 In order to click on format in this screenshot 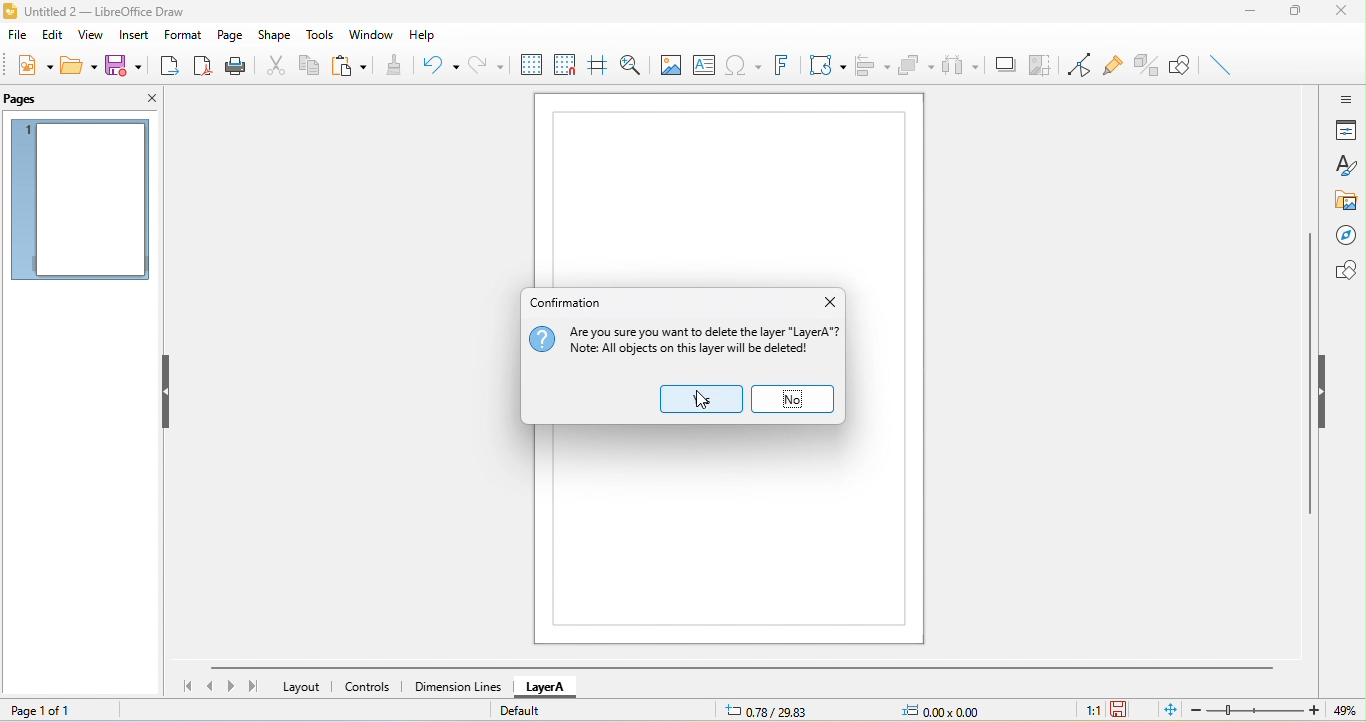, I will do `click(185, 35)`.